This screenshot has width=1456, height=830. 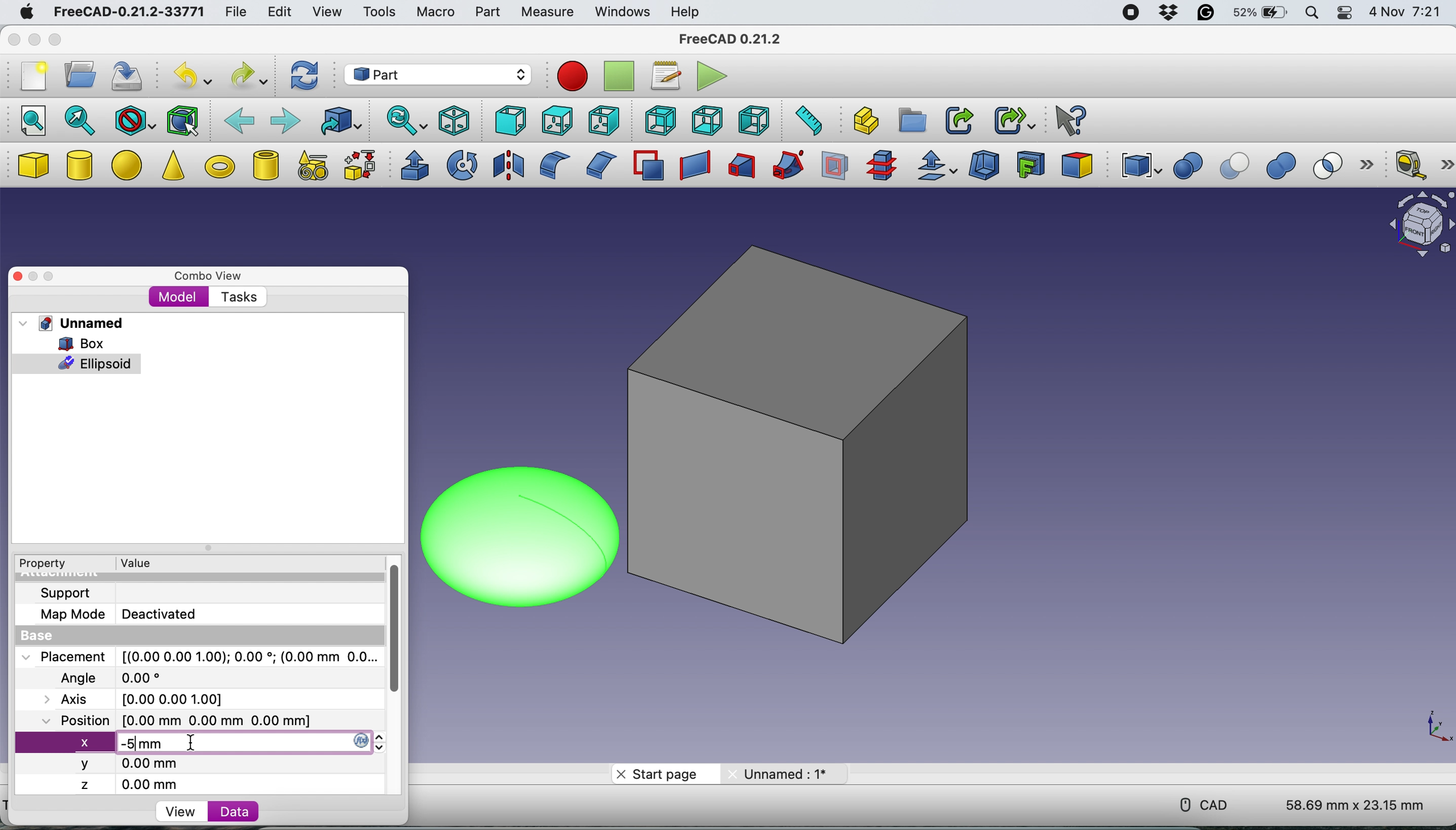 I want to click on isometric view, so click(x=455, y=120).